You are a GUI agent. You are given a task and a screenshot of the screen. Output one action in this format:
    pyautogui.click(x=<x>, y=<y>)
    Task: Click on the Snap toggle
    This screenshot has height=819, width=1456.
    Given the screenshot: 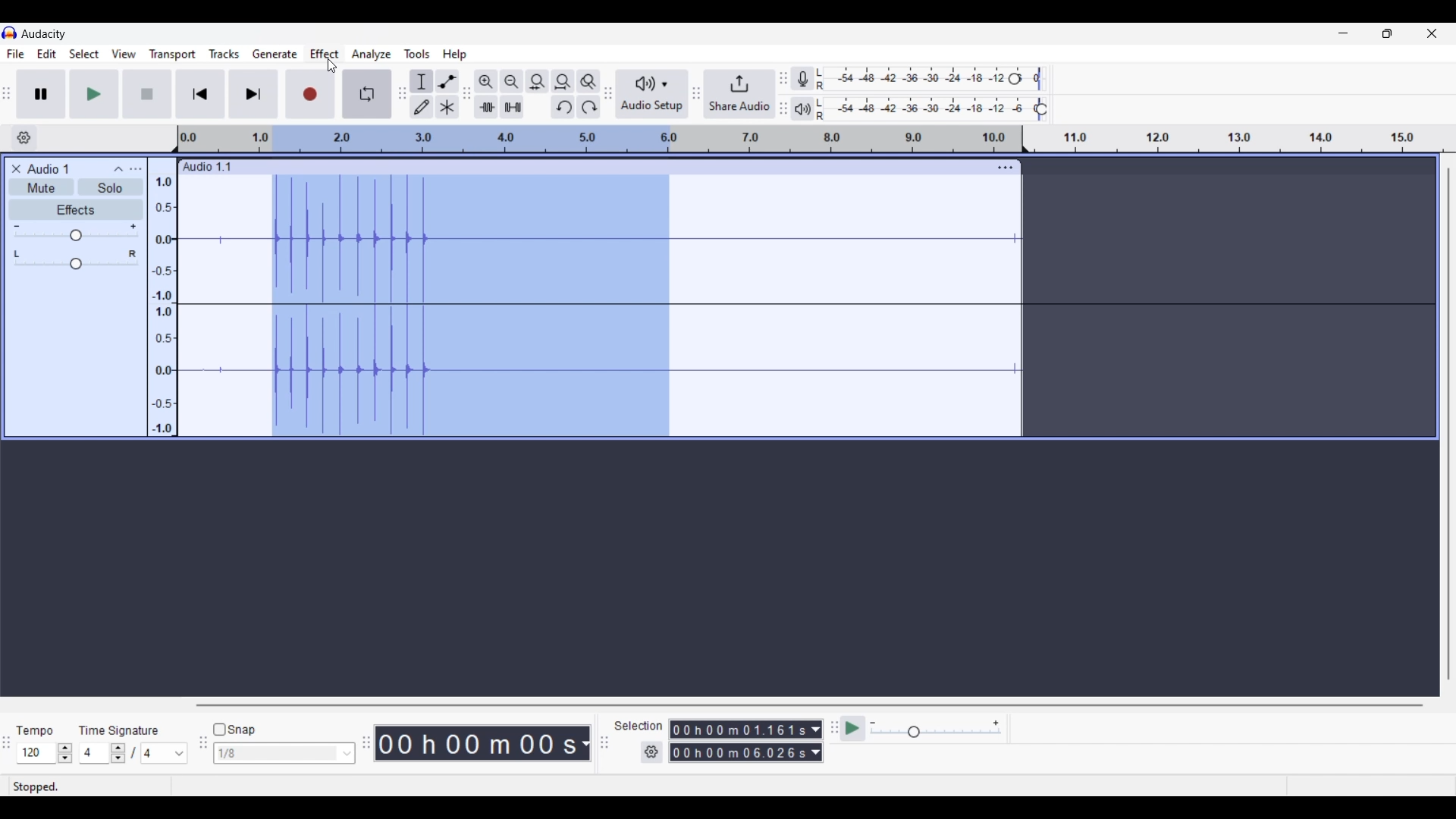 What is the action you would take?
    pyautogui.click(x=234, y=730)
    